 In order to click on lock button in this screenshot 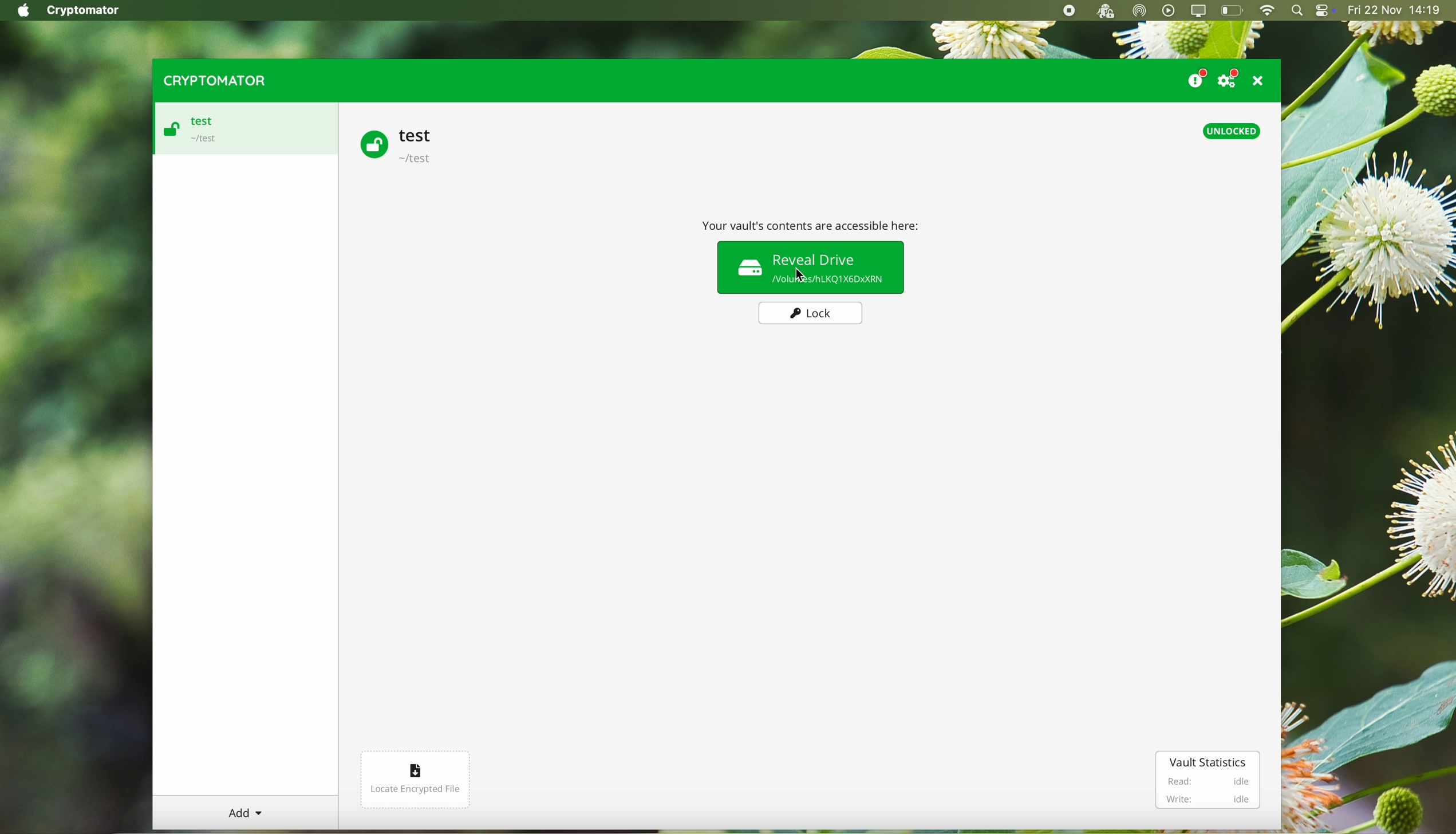, I will do `click(810, 314)`.